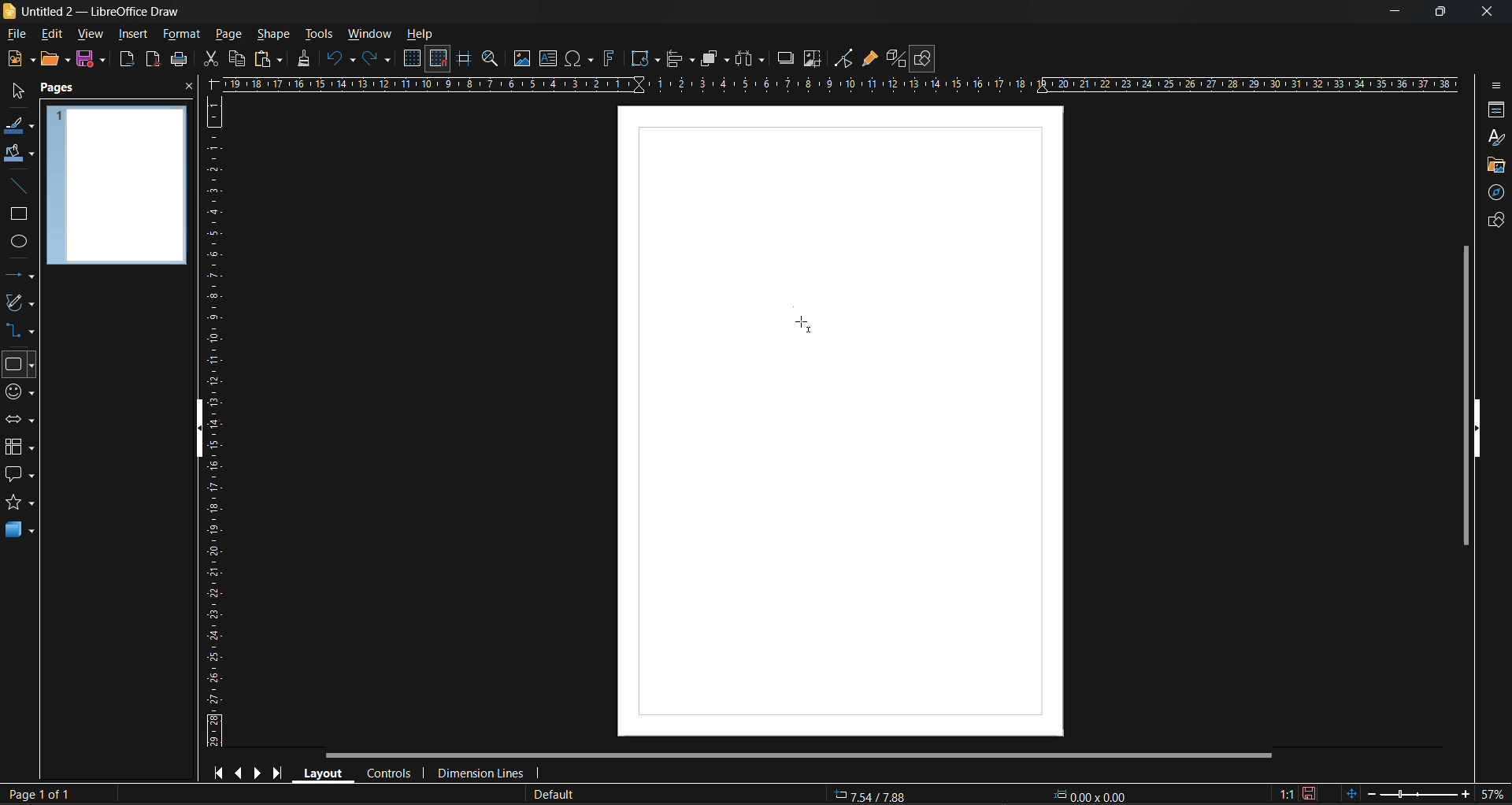 The width and height of the screenshot is (1512, 805). I want to click on export as pdf, so click(152, 58).